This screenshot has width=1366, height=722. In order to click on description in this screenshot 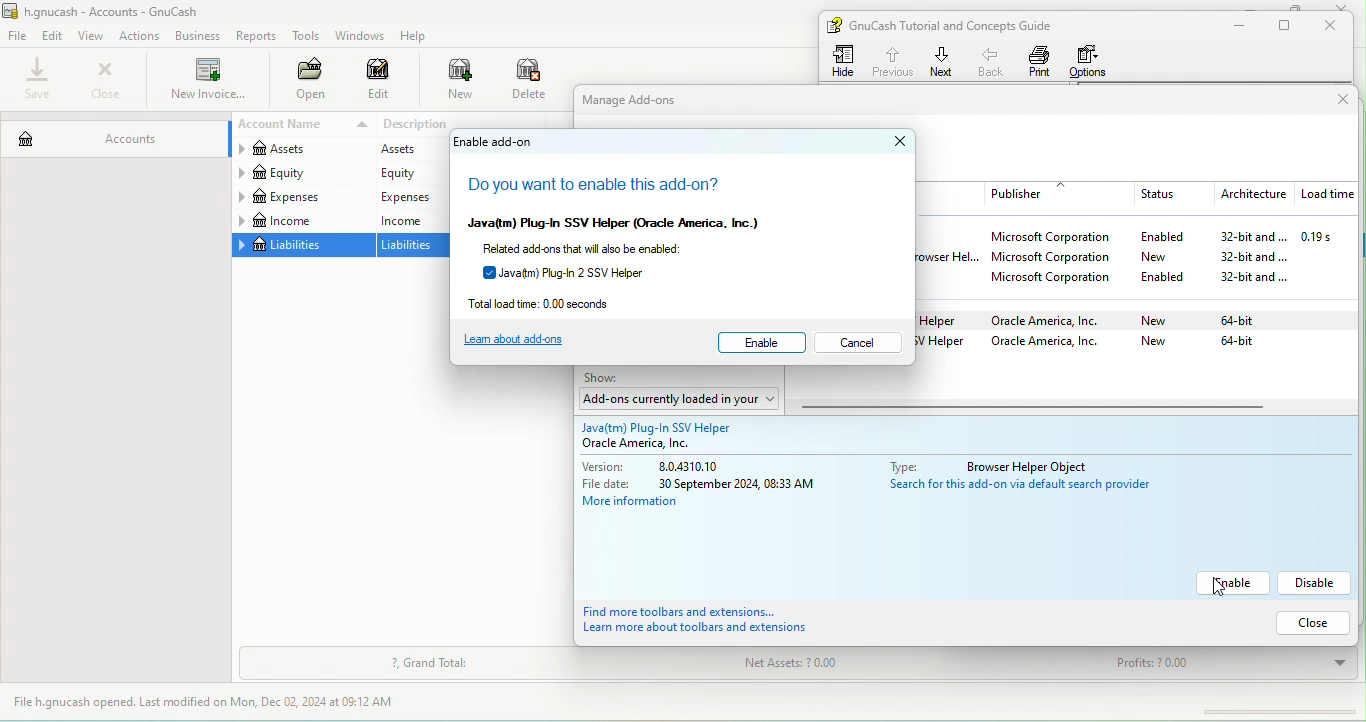, I will do `click(415, 124)`.